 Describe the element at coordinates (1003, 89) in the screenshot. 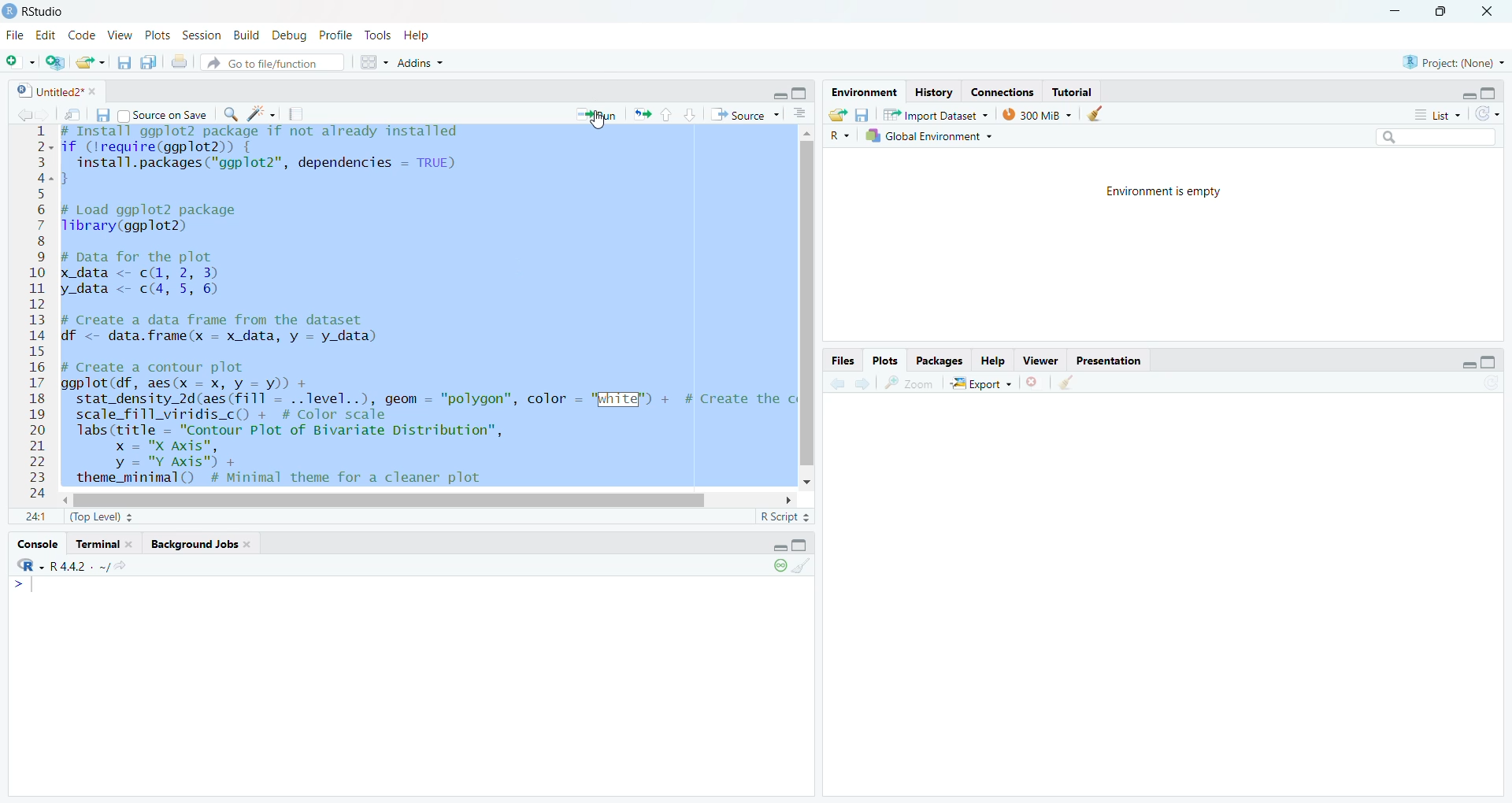

I see `Eades` at that location.